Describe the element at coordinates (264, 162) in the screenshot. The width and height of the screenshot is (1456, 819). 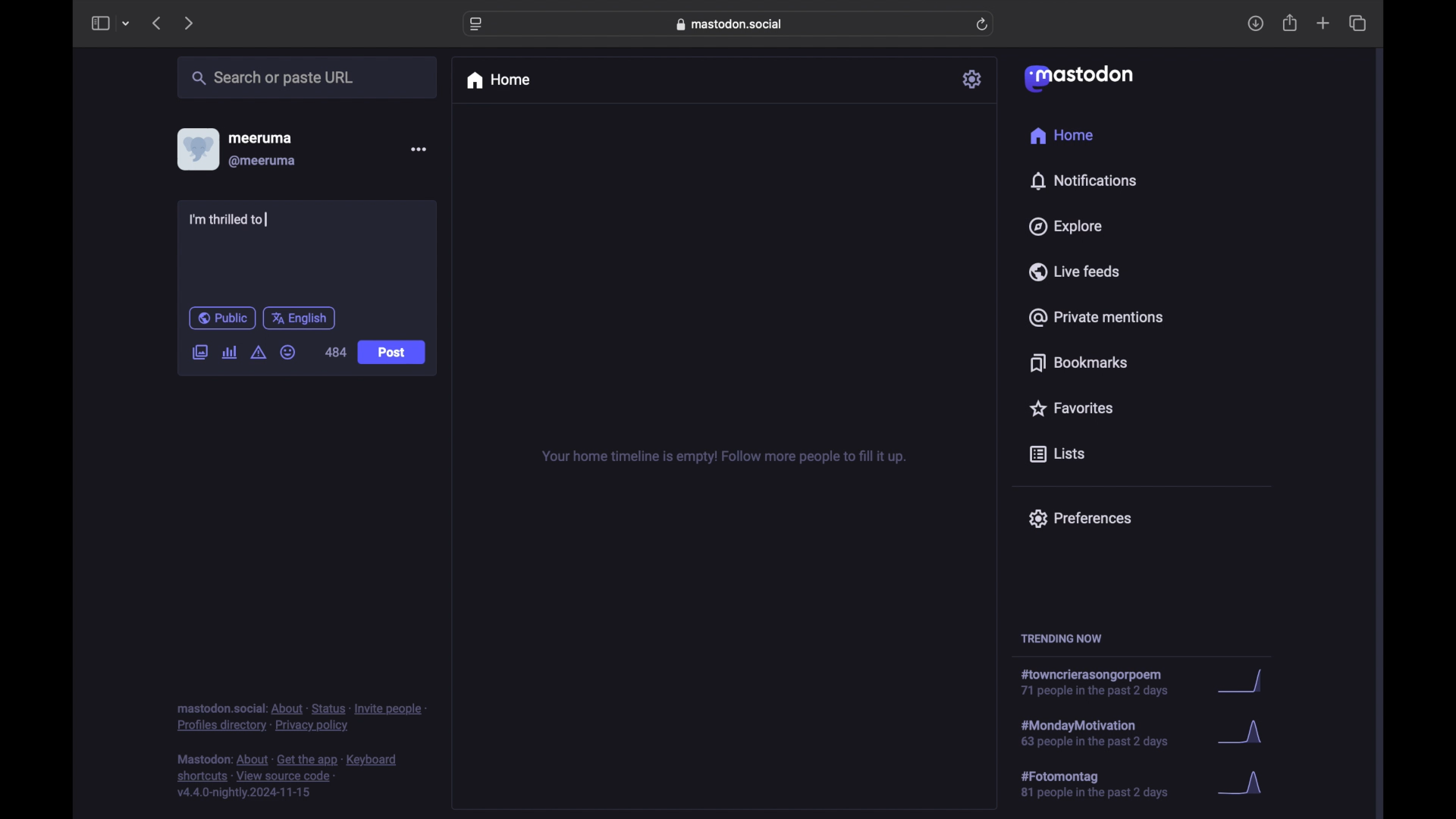
I see `@meeruma` at that location.